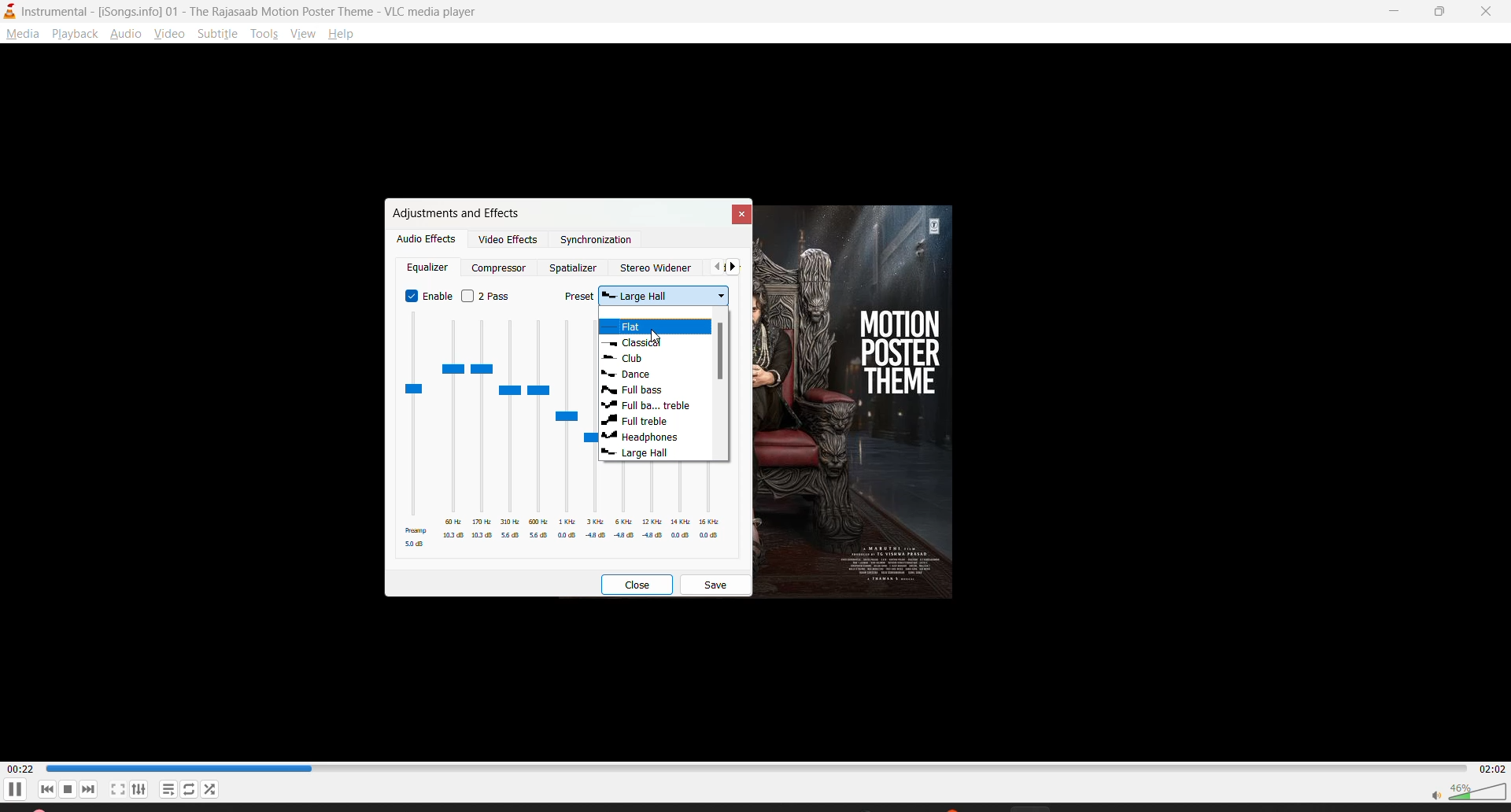 The width and height of the screenshot is (1511, 812). I want to click on video effects, so click(511, 242).